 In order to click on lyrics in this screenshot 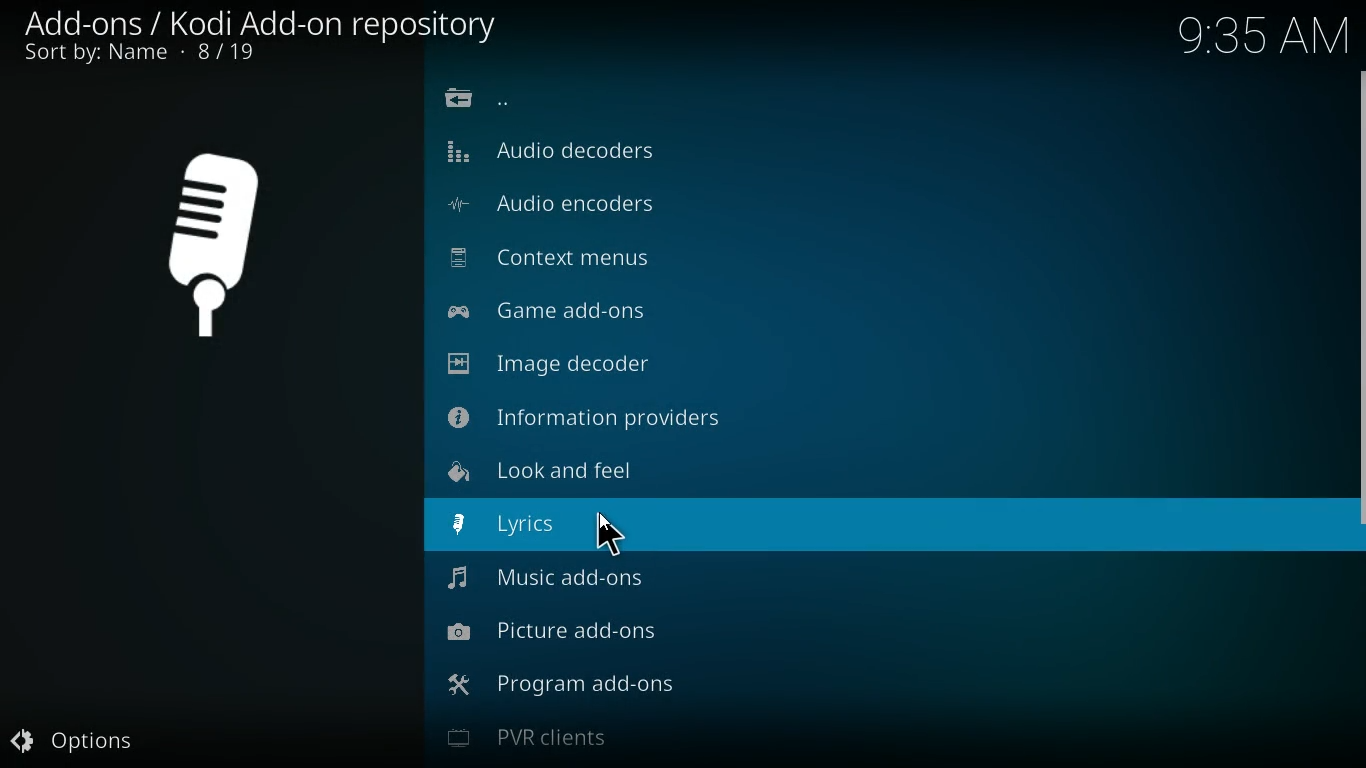, I will do `click(557, 526)`.